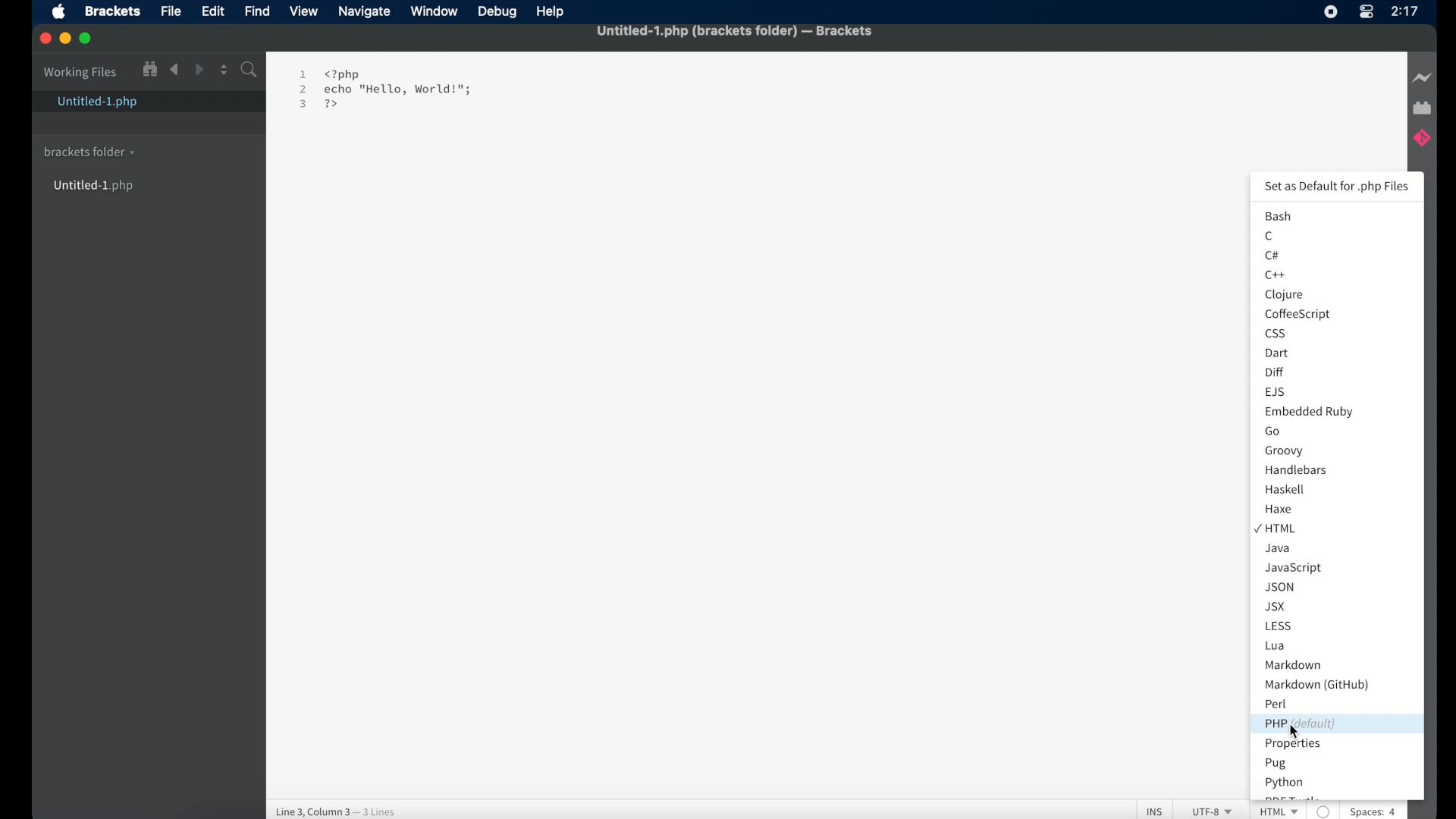 The height and width of the screenshot is (819, 1456). What do you see at coordinates (1281, 813) in the screenshot?
I see `HTML` at bounding box center [1281, 813].